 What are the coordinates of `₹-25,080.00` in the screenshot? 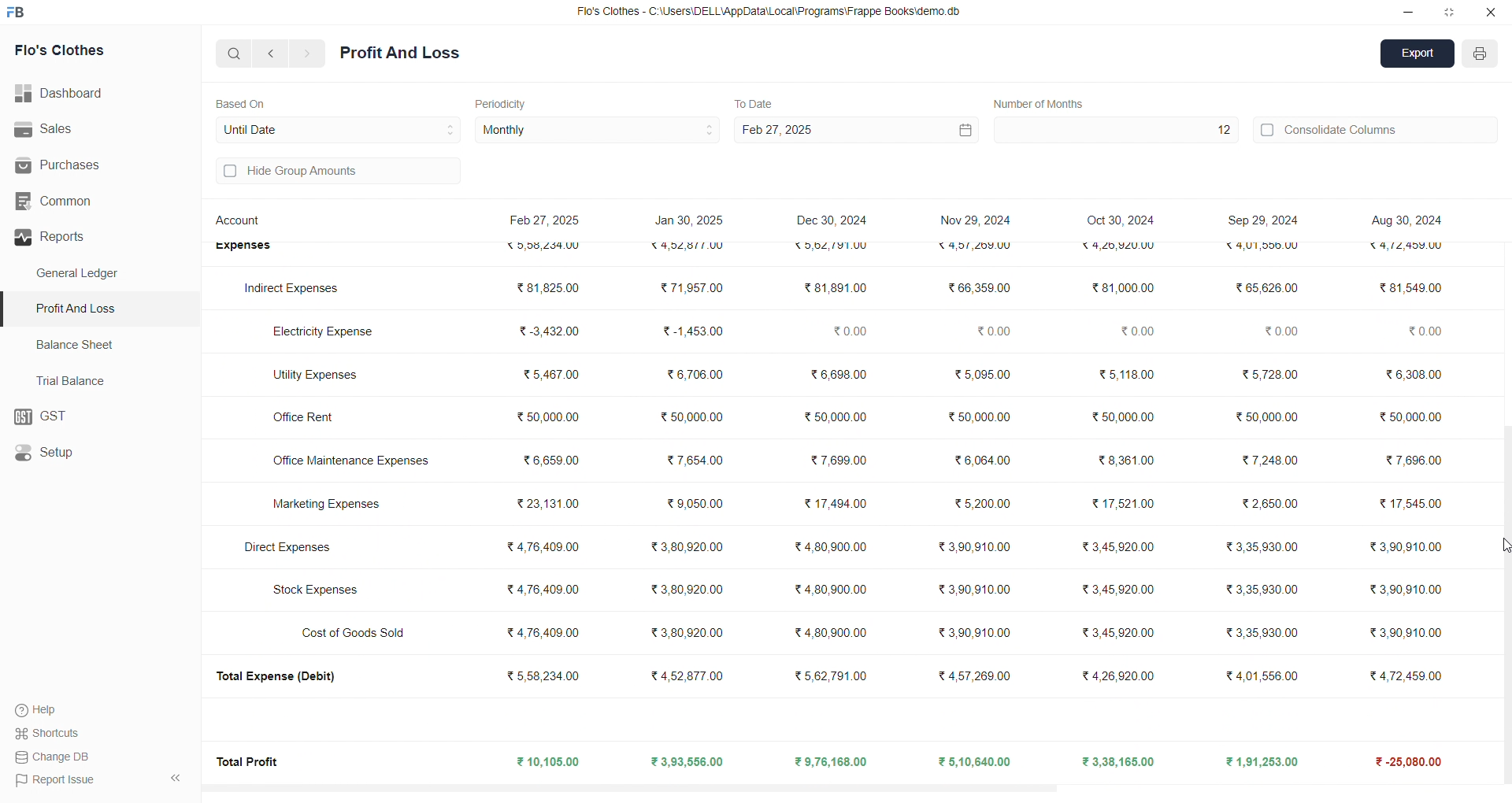 It's located at (1402, 762).